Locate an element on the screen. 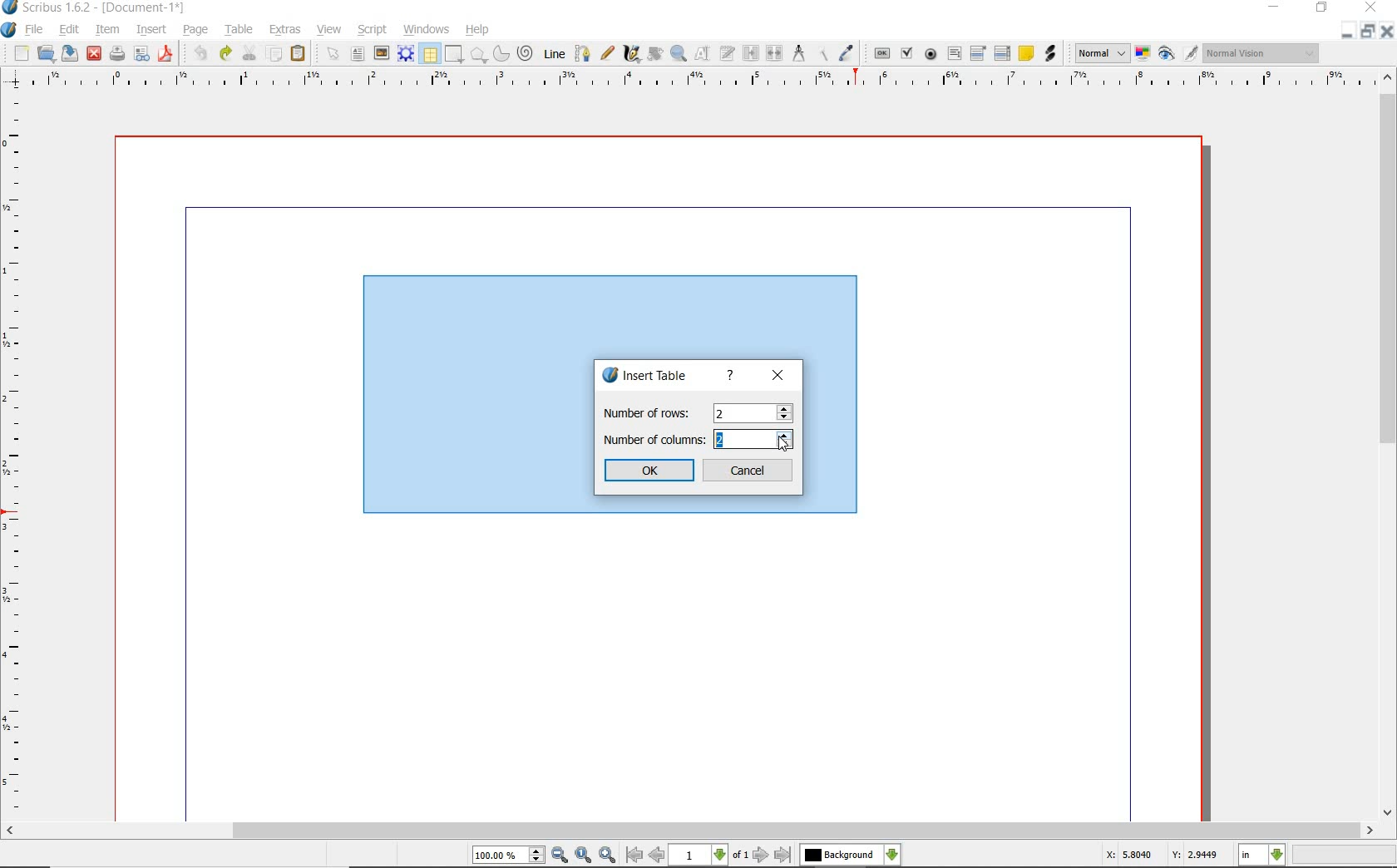  select current page level is located at coordinates (709, 855).